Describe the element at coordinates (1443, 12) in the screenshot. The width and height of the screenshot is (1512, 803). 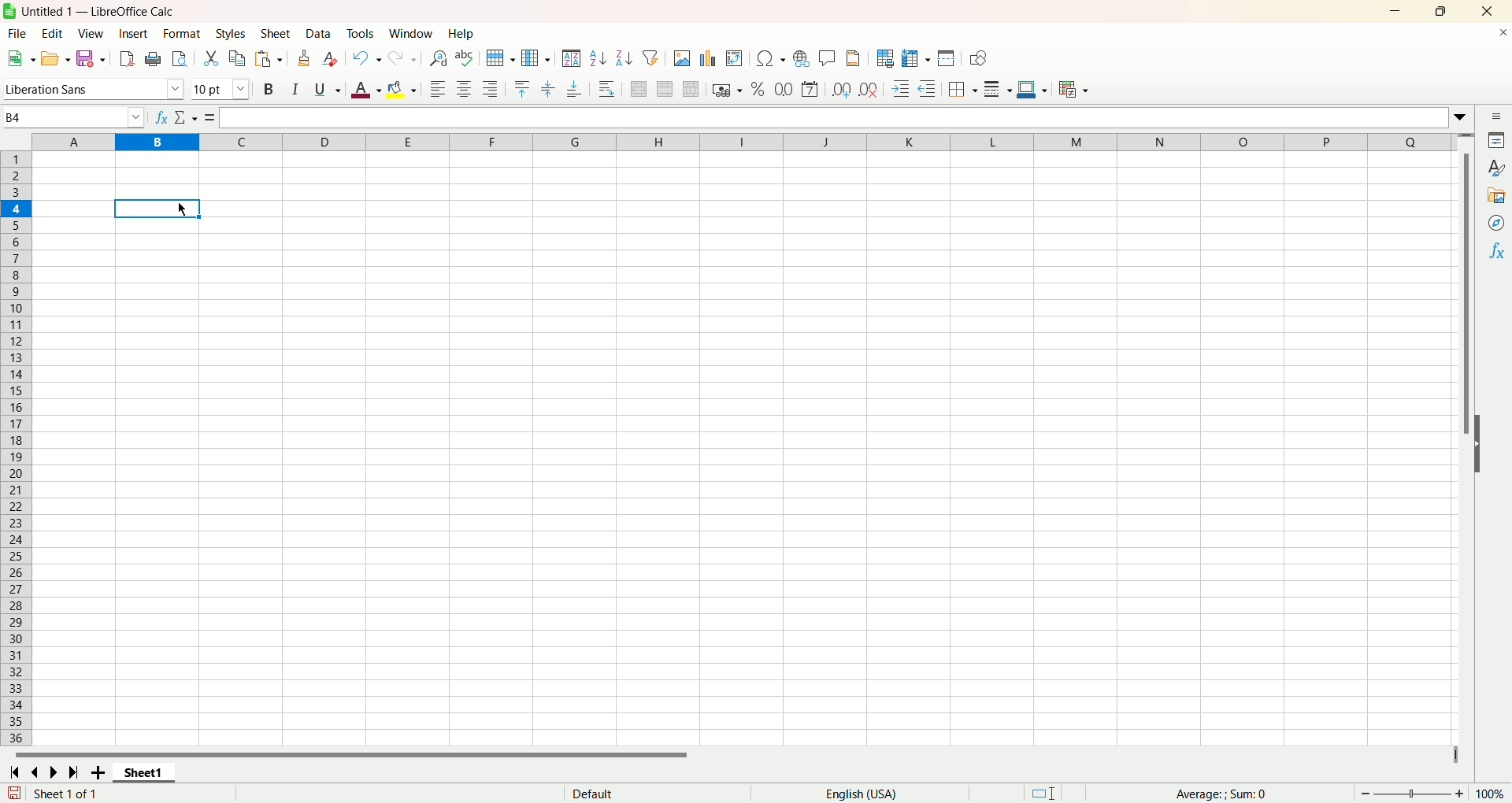
I see `maximize` at that location.